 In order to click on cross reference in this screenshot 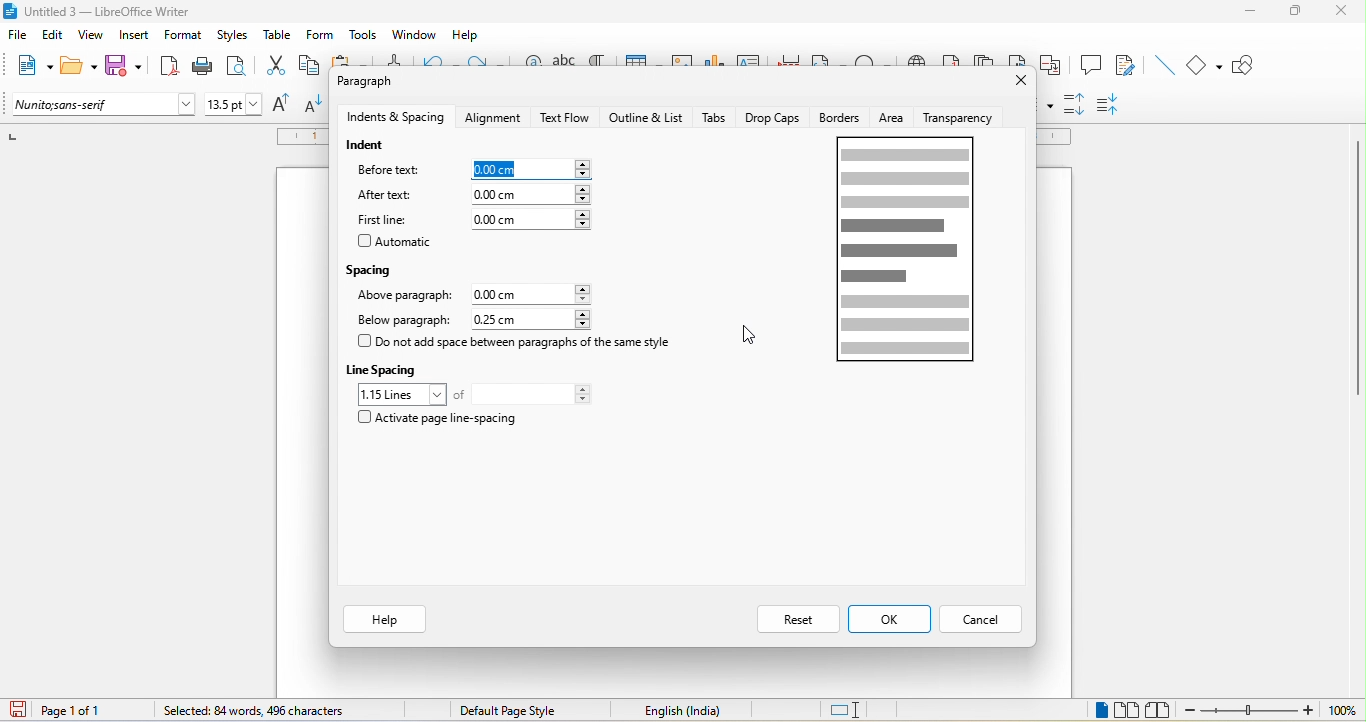, I will do `click(1055, 65)`.